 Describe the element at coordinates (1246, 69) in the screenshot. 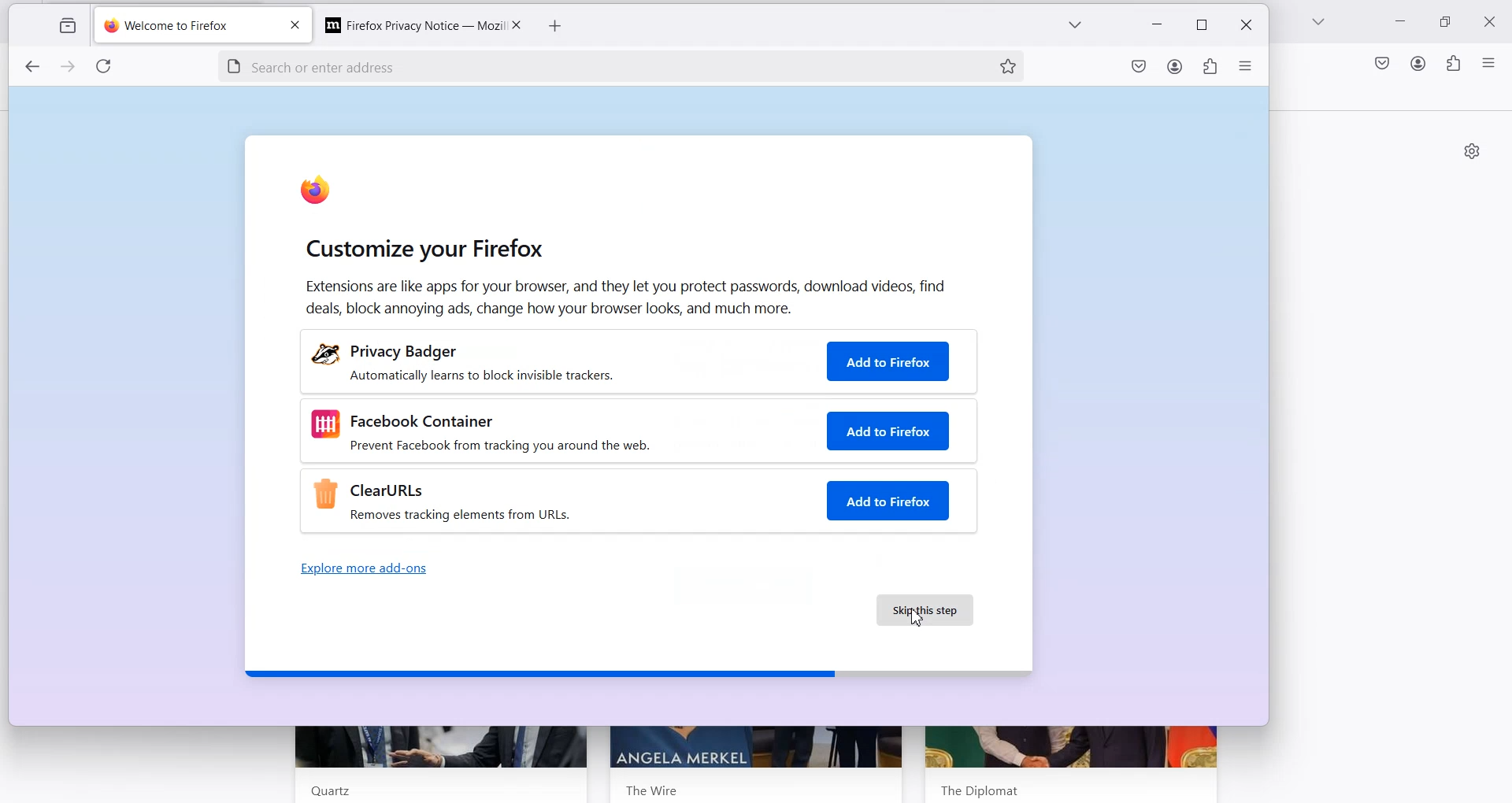

I see `open application menu` at that location.